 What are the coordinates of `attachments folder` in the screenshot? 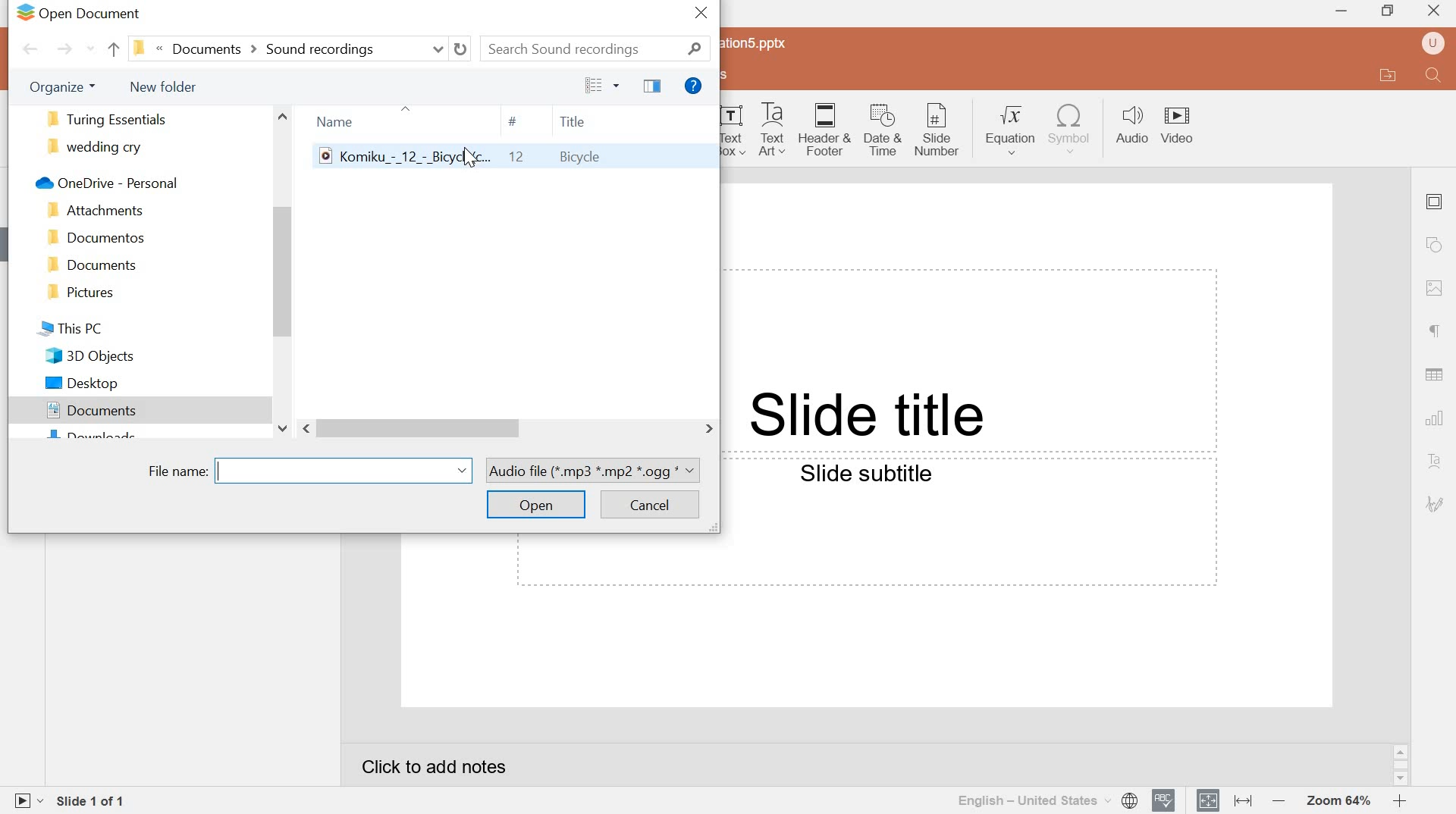 It's located at (93, 211).